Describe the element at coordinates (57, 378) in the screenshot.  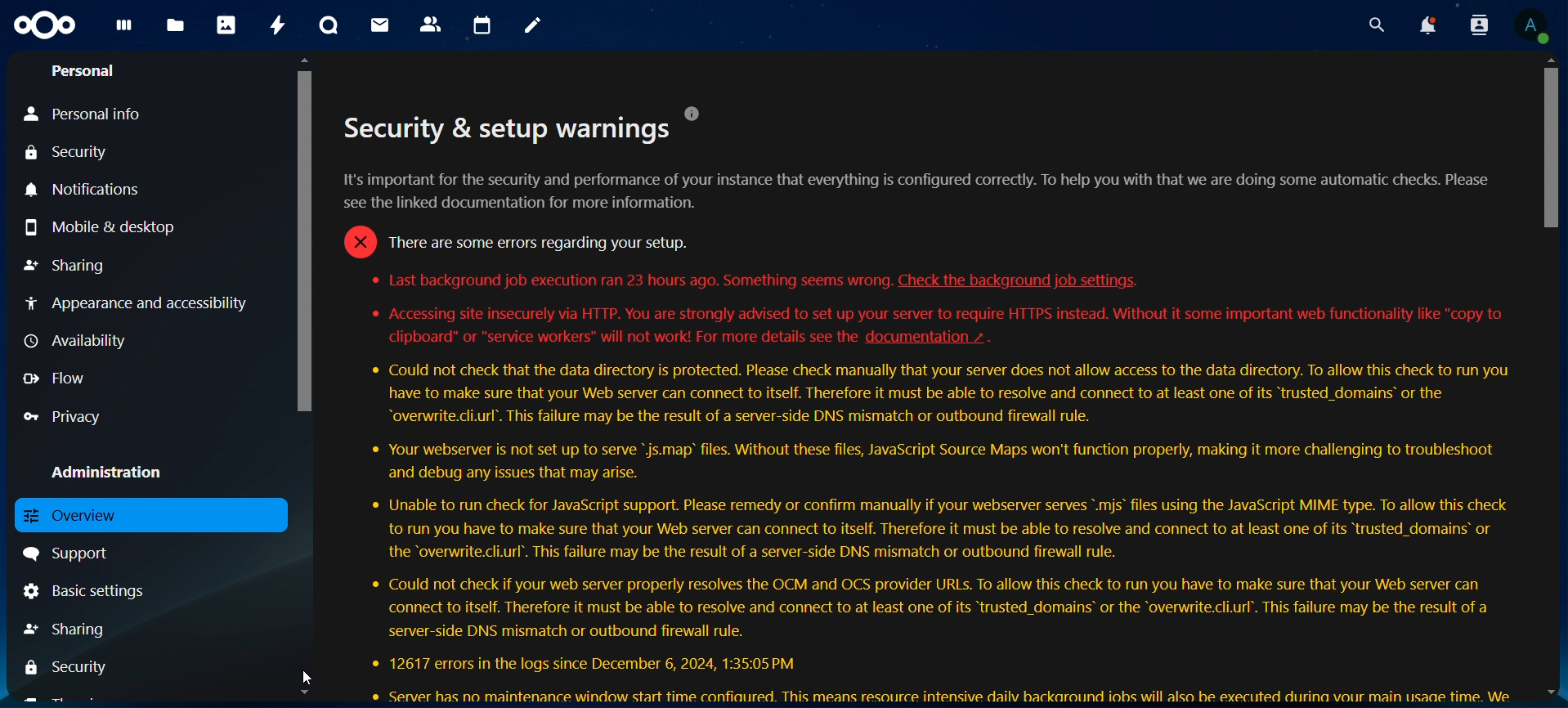
I see `flow` at that location.